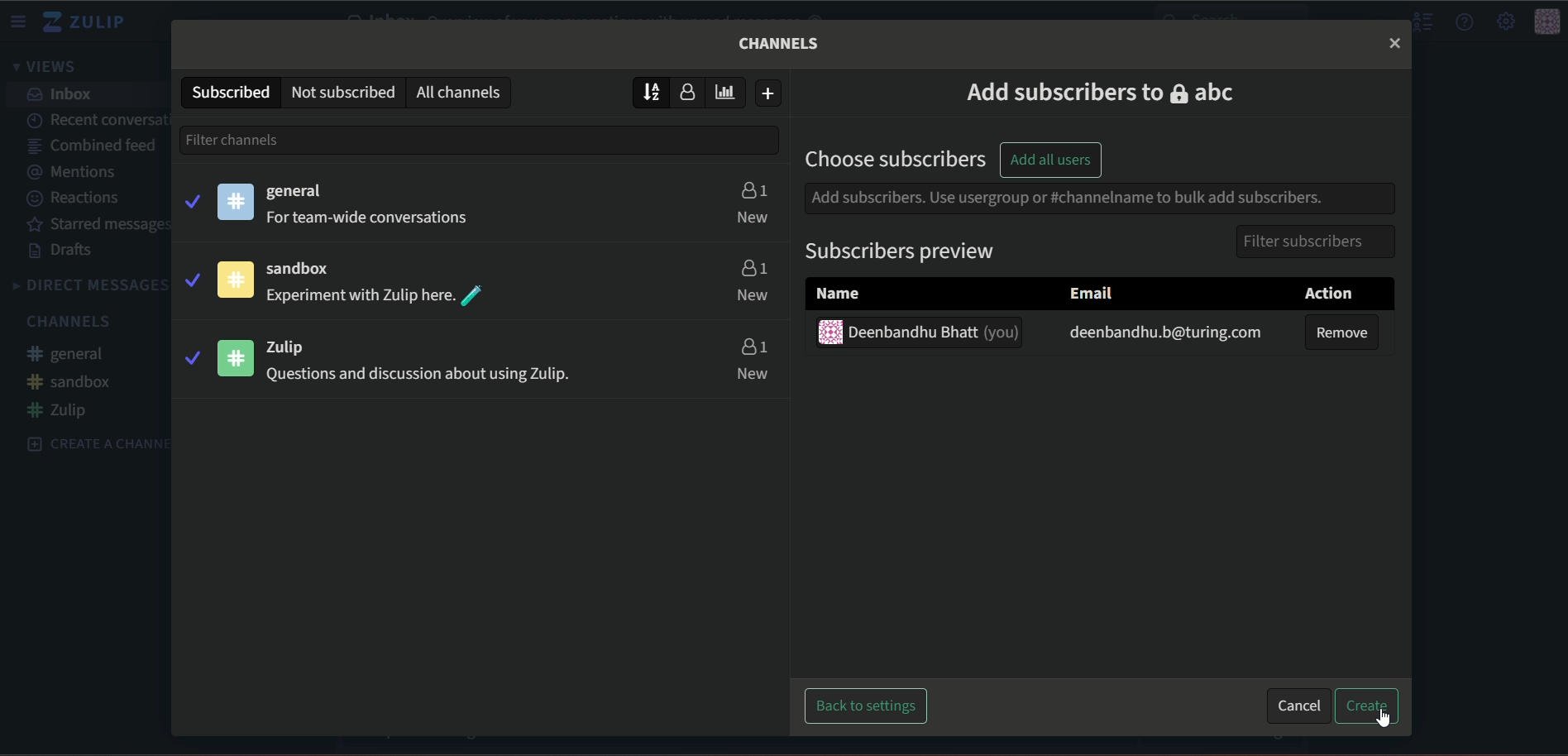  Describe the element at coordinates (308, 270) in the screenshot. I see `sandbox` at that location.